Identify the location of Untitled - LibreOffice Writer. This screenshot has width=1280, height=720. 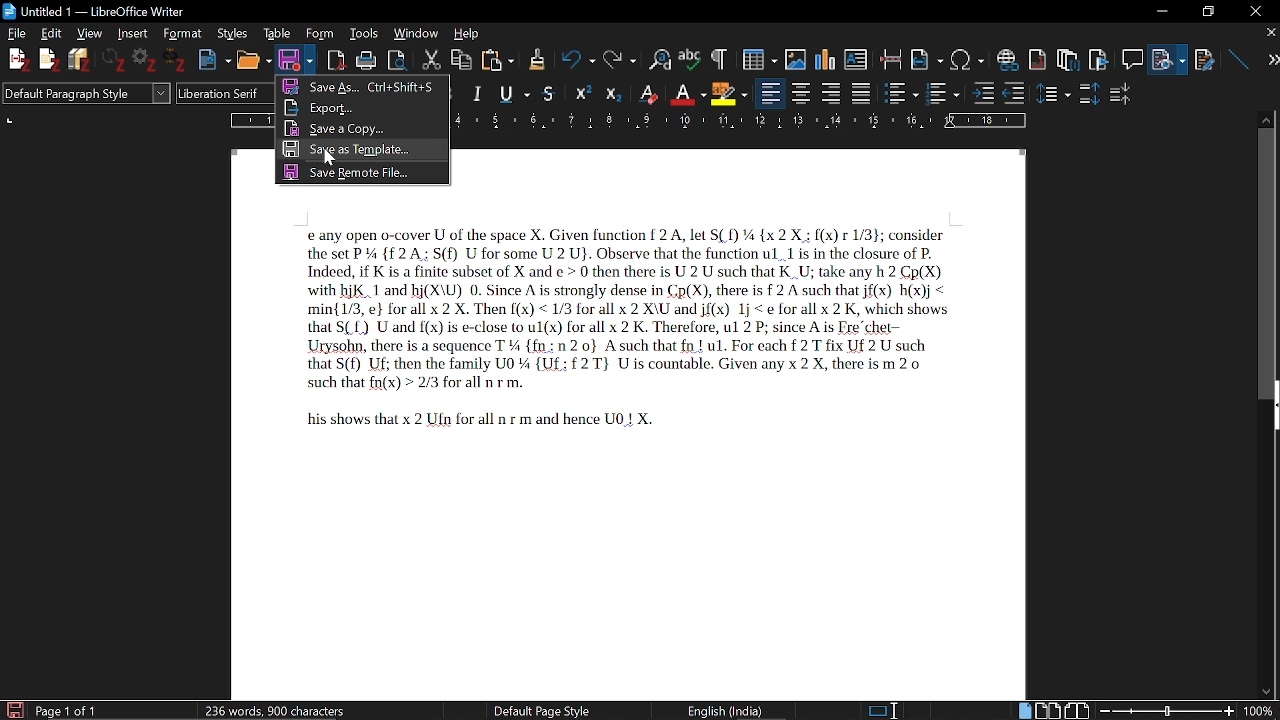
(112, 9).